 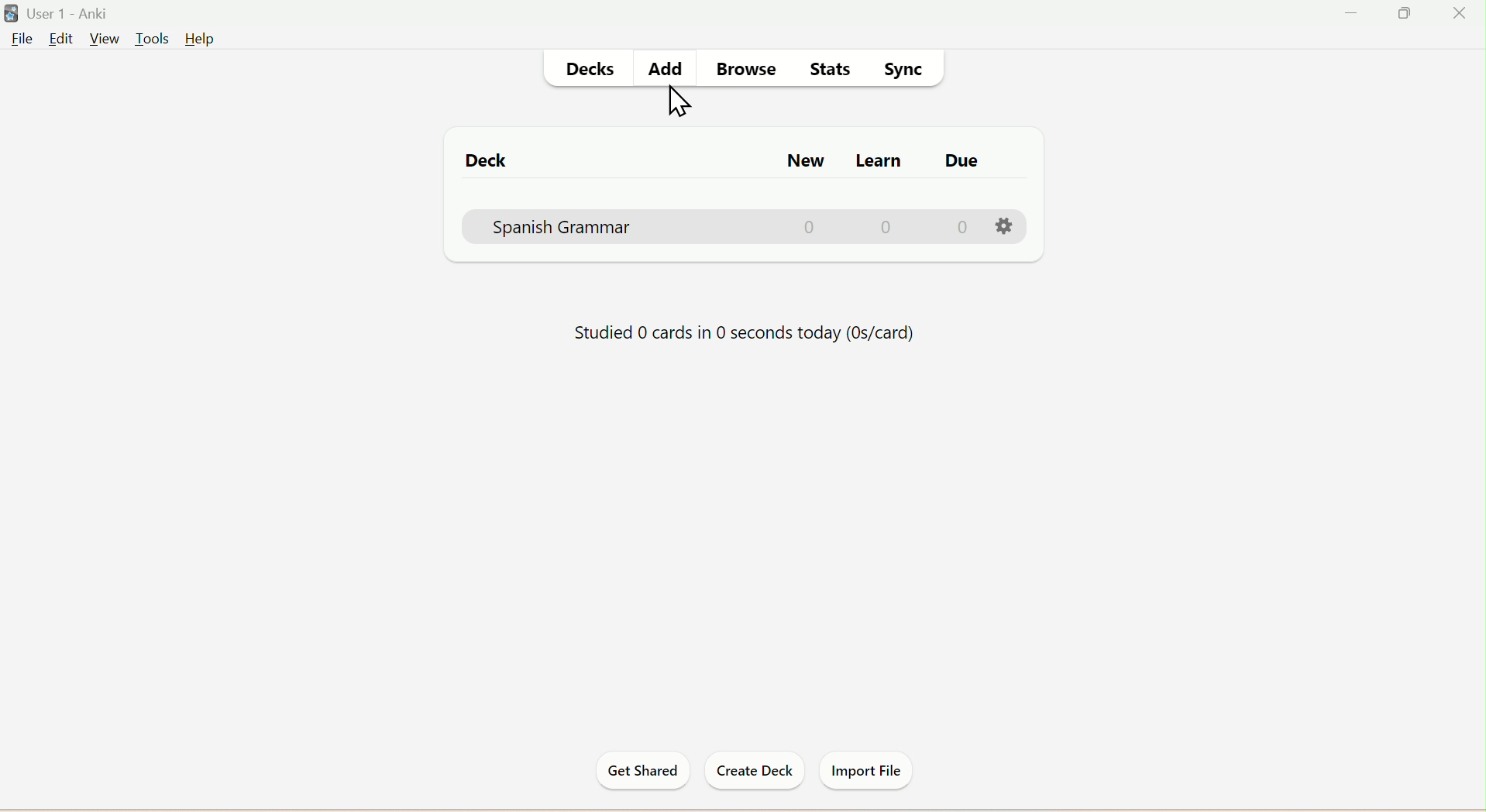 What do you see at coordinates (590, 68) in the screenshot?
I see `Decks` at bounding box center [590, 68].